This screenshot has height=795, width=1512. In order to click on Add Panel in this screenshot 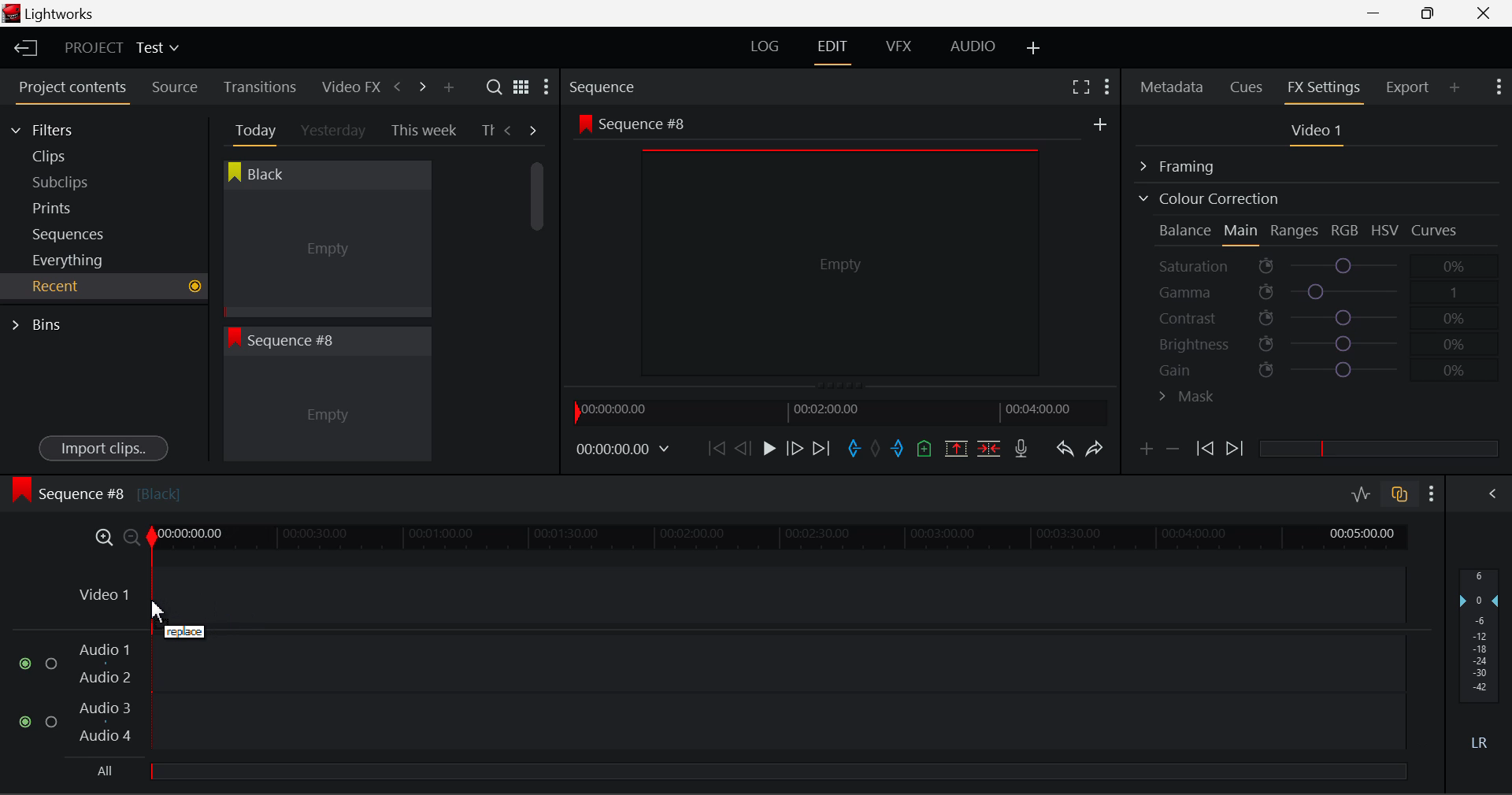, I will do `click(1455, 87)`.